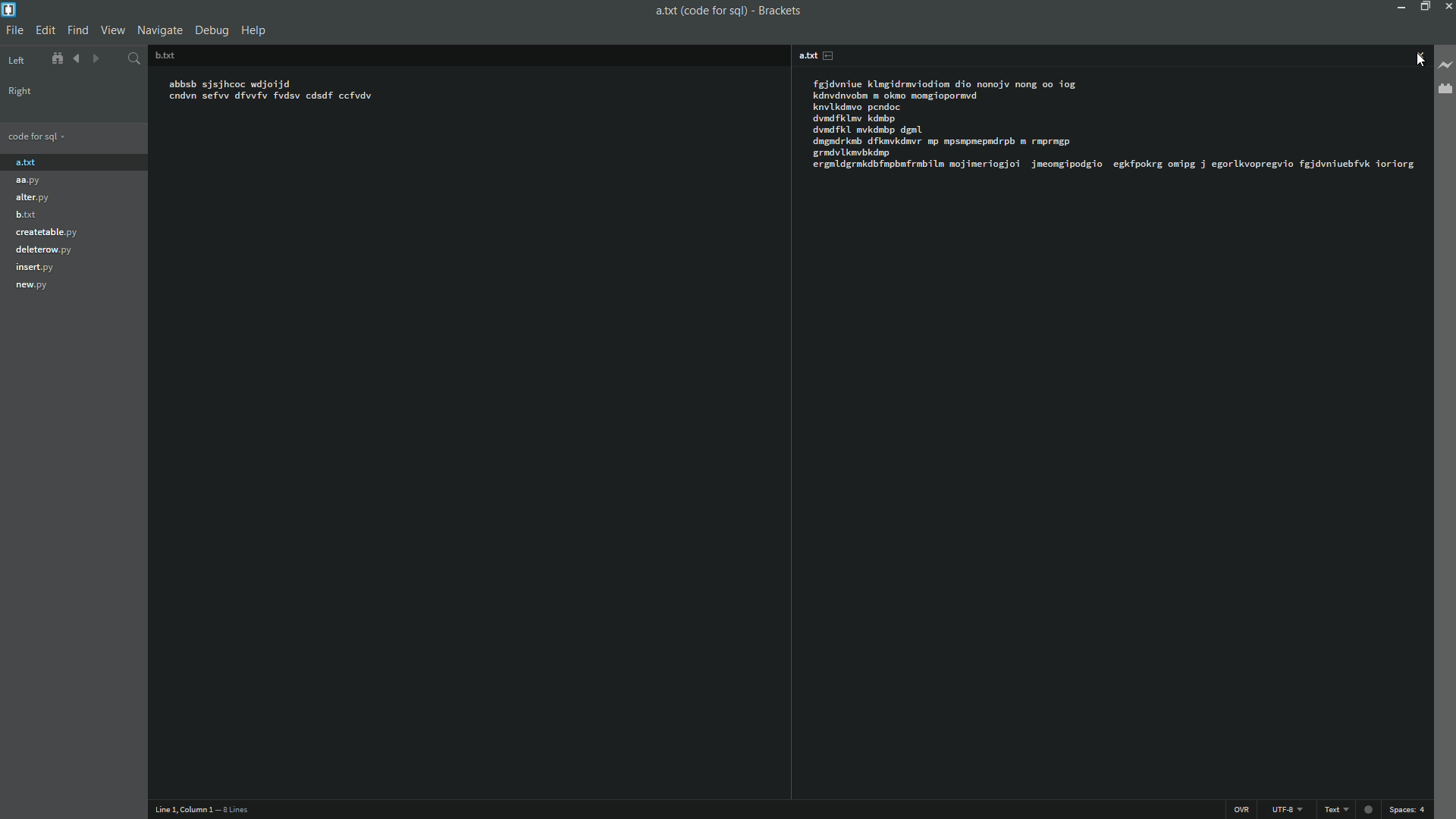  I want to click on UTF-8, so click(1287, 810).